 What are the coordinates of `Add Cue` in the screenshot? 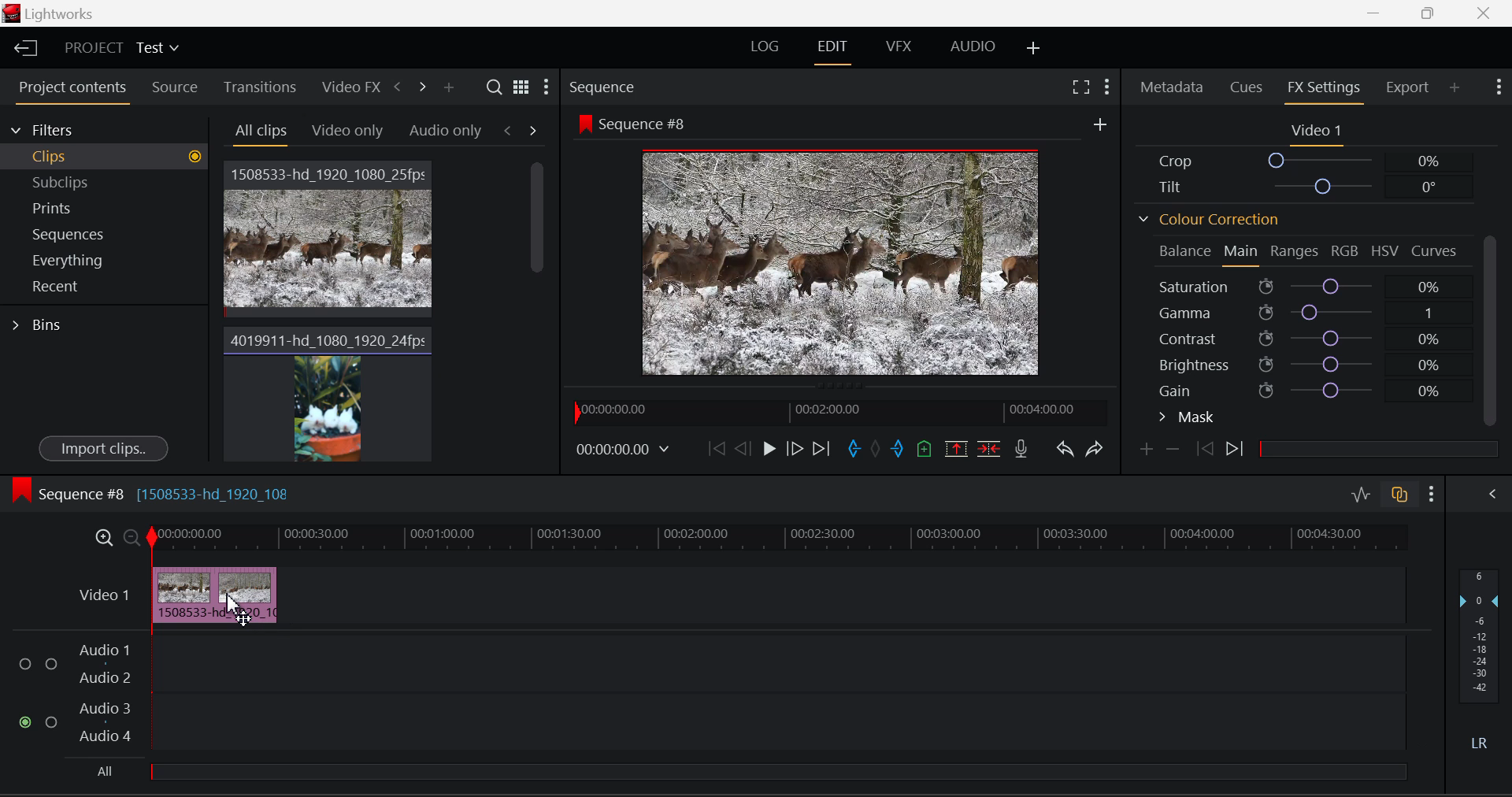 It's located at (925, 449).